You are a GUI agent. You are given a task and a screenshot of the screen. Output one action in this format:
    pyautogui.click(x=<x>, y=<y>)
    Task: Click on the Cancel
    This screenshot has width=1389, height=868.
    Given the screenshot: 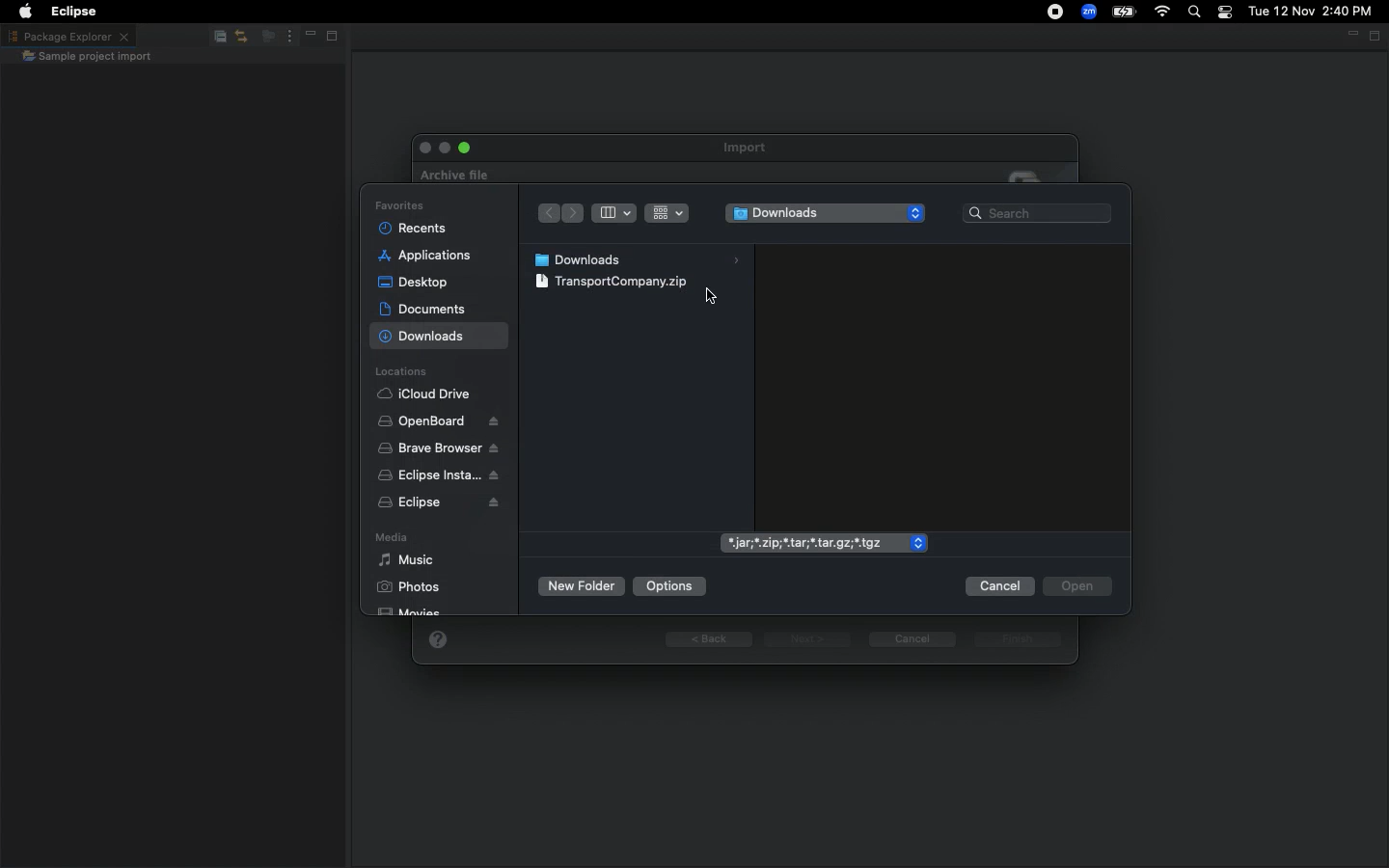 What is the action you would take?
    pyautogui.click(x=912, y=638)
    